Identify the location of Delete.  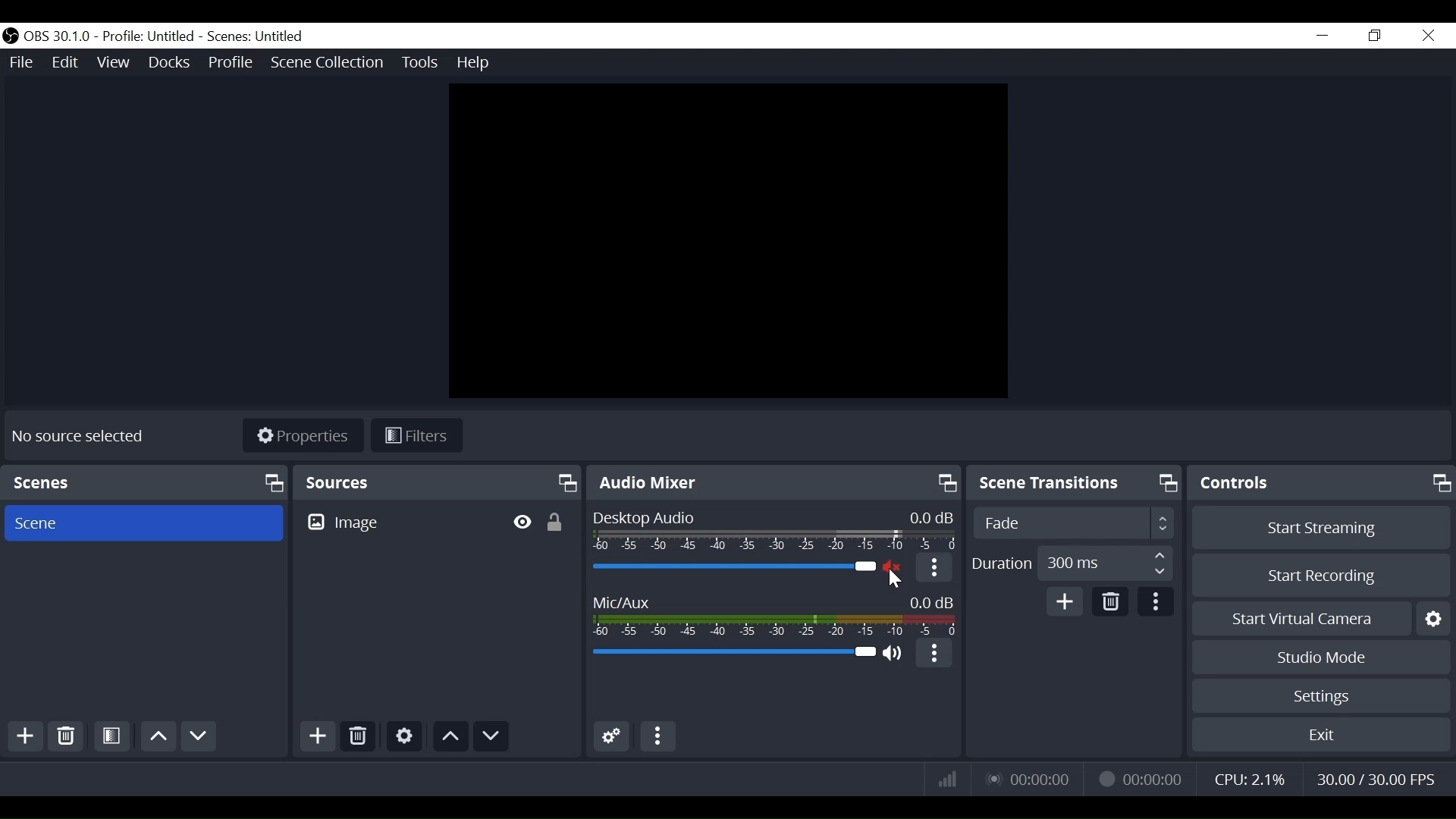
(67, 736).